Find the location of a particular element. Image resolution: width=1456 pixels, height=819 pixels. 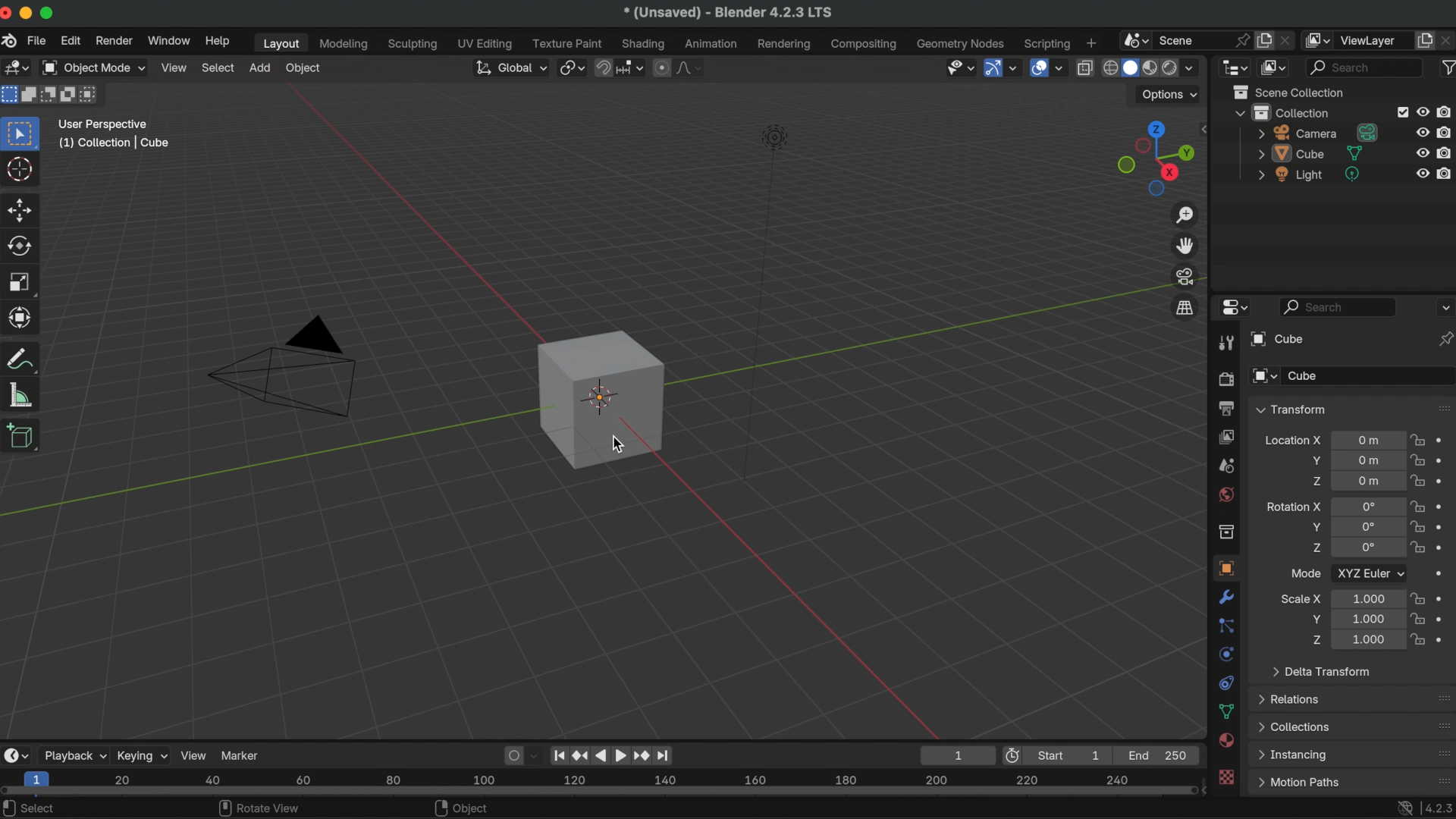

viewport shading material preview mode is located at coordinates (1148, 69).